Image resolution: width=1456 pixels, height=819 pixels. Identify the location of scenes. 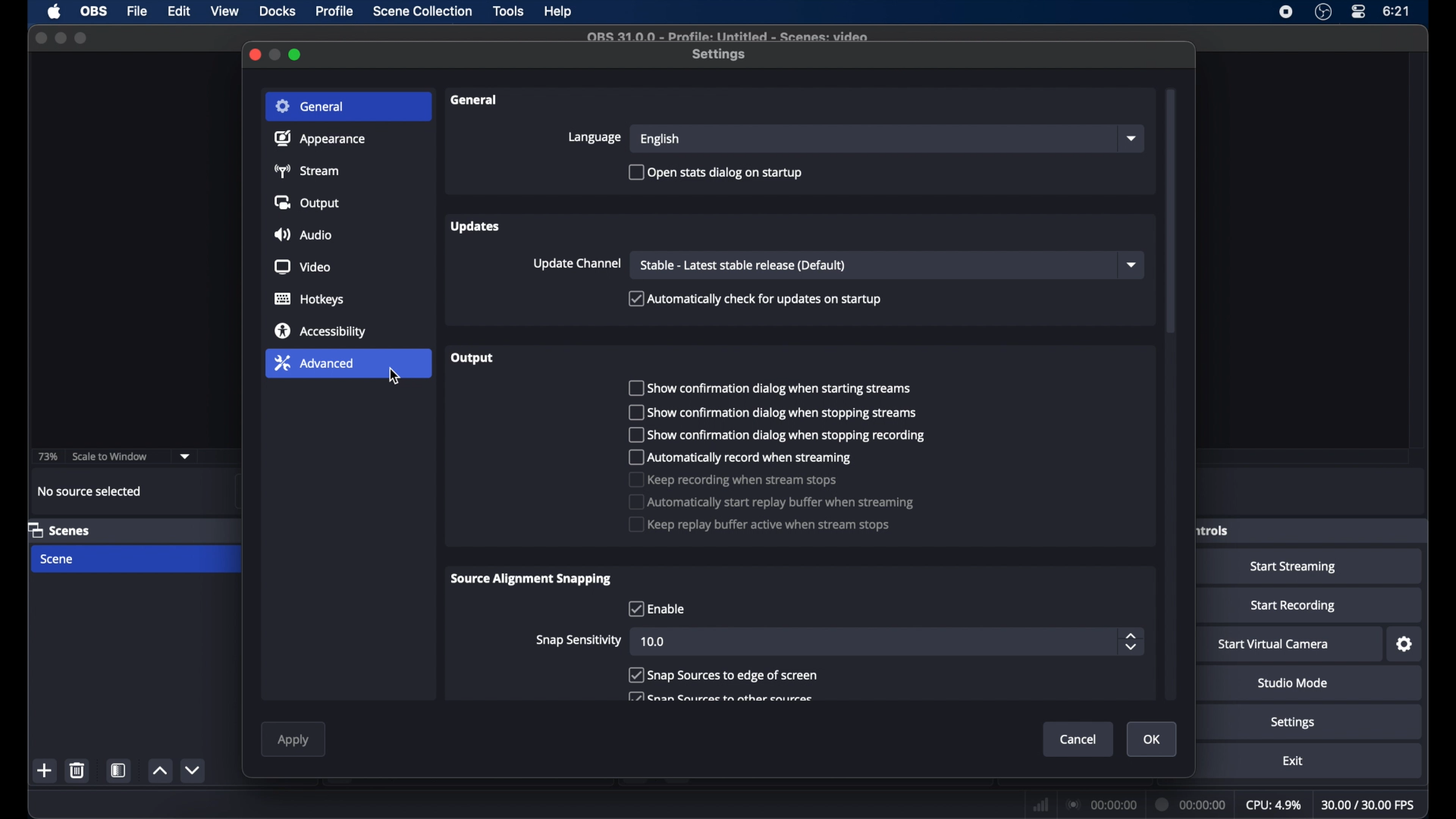
(58, 529).